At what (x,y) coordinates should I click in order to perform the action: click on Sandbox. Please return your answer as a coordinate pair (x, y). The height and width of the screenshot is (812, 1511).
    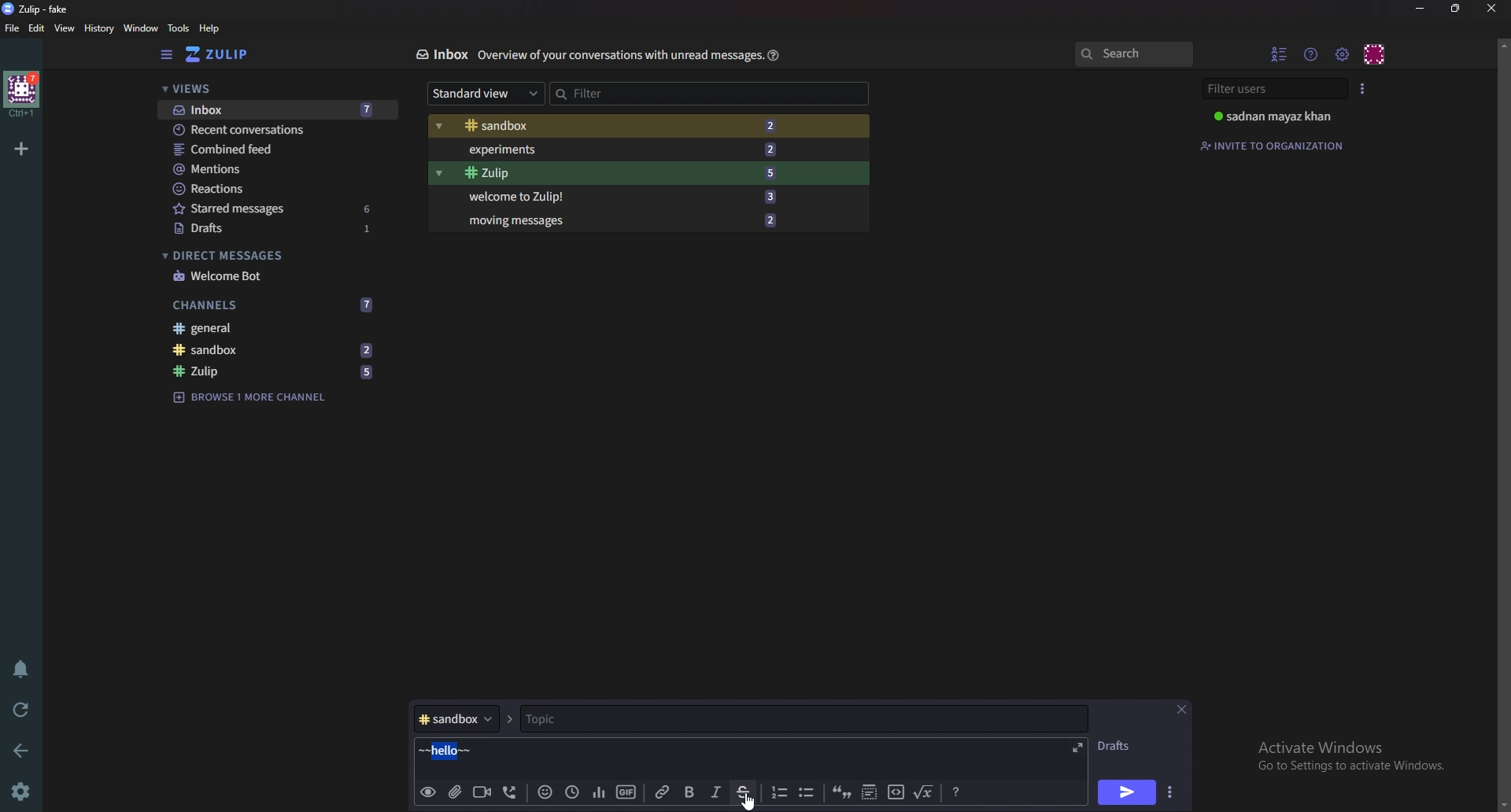
    Looking at the image, I should click on (619, 127).